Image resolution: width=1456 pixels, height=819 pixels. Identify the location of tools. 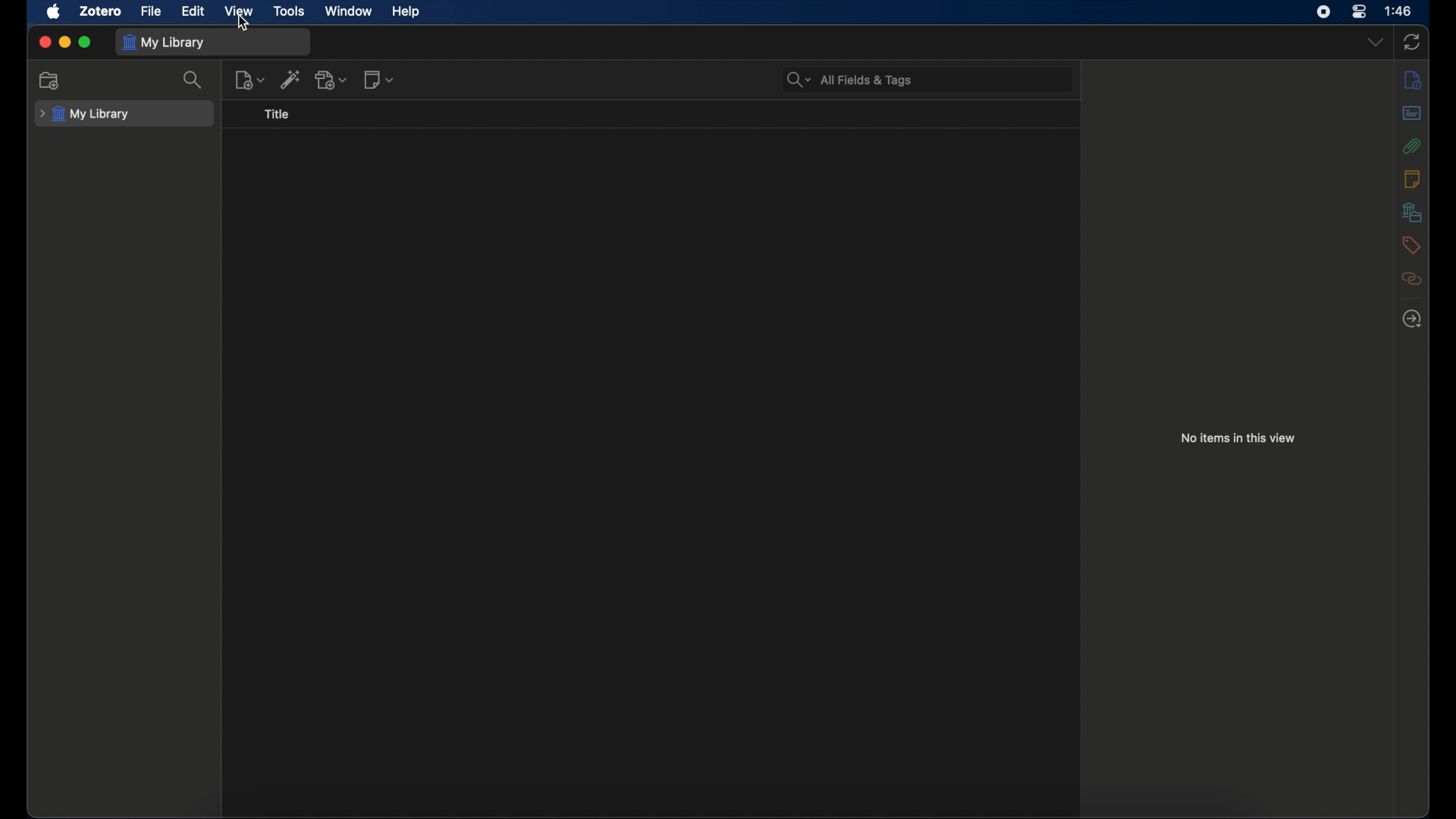
(288, 10).